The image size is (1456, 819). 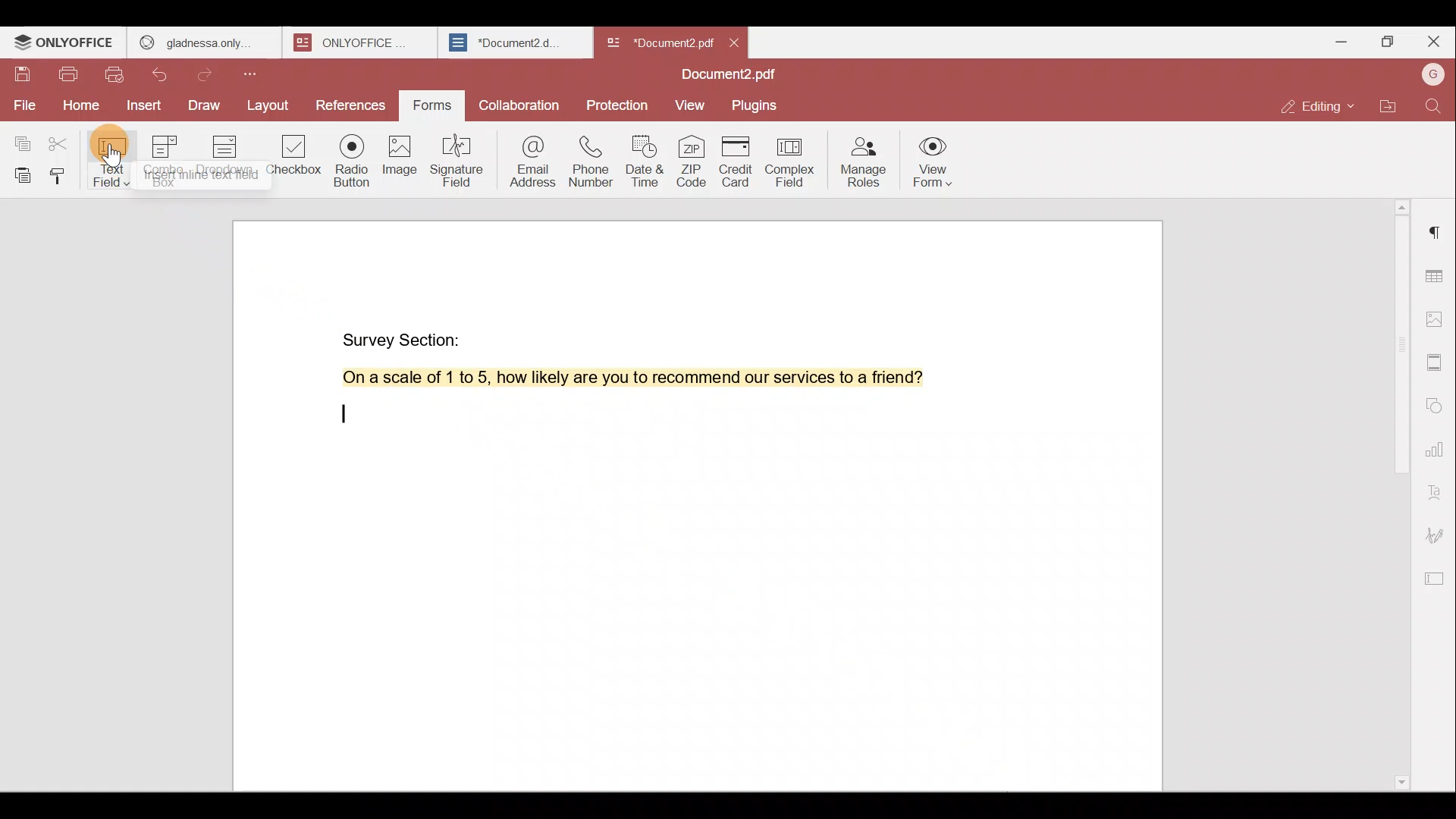 What do you see at coordinates (1433, 42) in the screenshot?
I see `Close` at bounding box center [1433, 42].